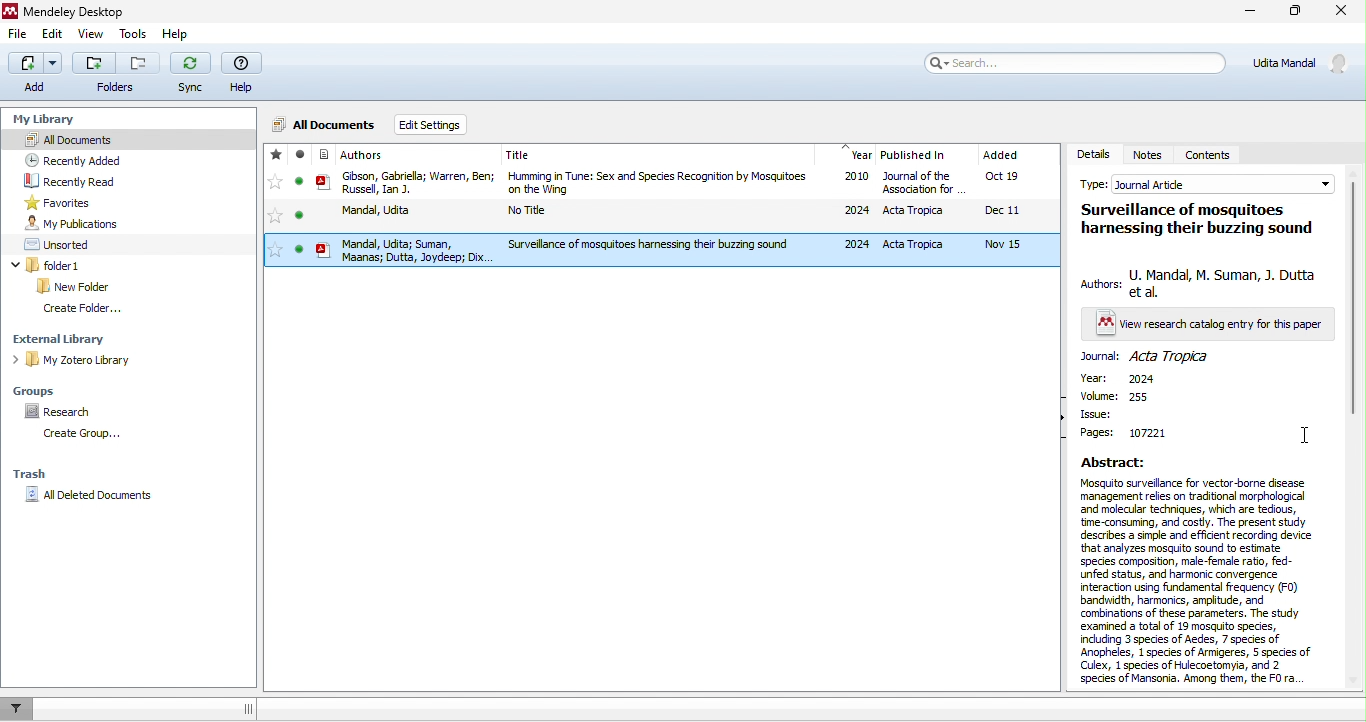 Image resolution: width=1366 pixels, height=722 pixels. What do you see at coordinates (1205, 182) in the screenshot?
I see `type: journal article` at bounding box center [1205, 182].